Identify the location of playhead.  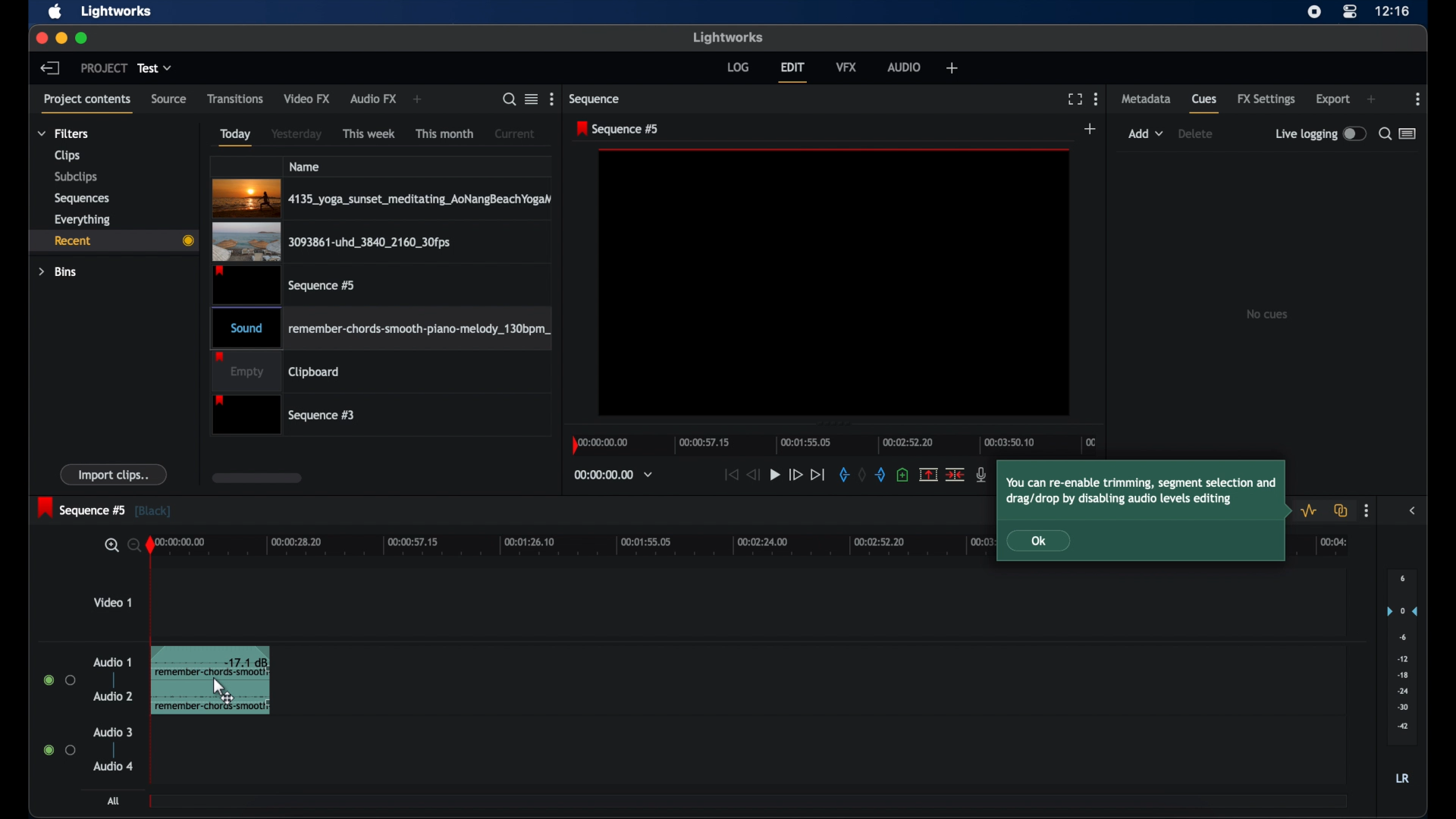
(150, 545).